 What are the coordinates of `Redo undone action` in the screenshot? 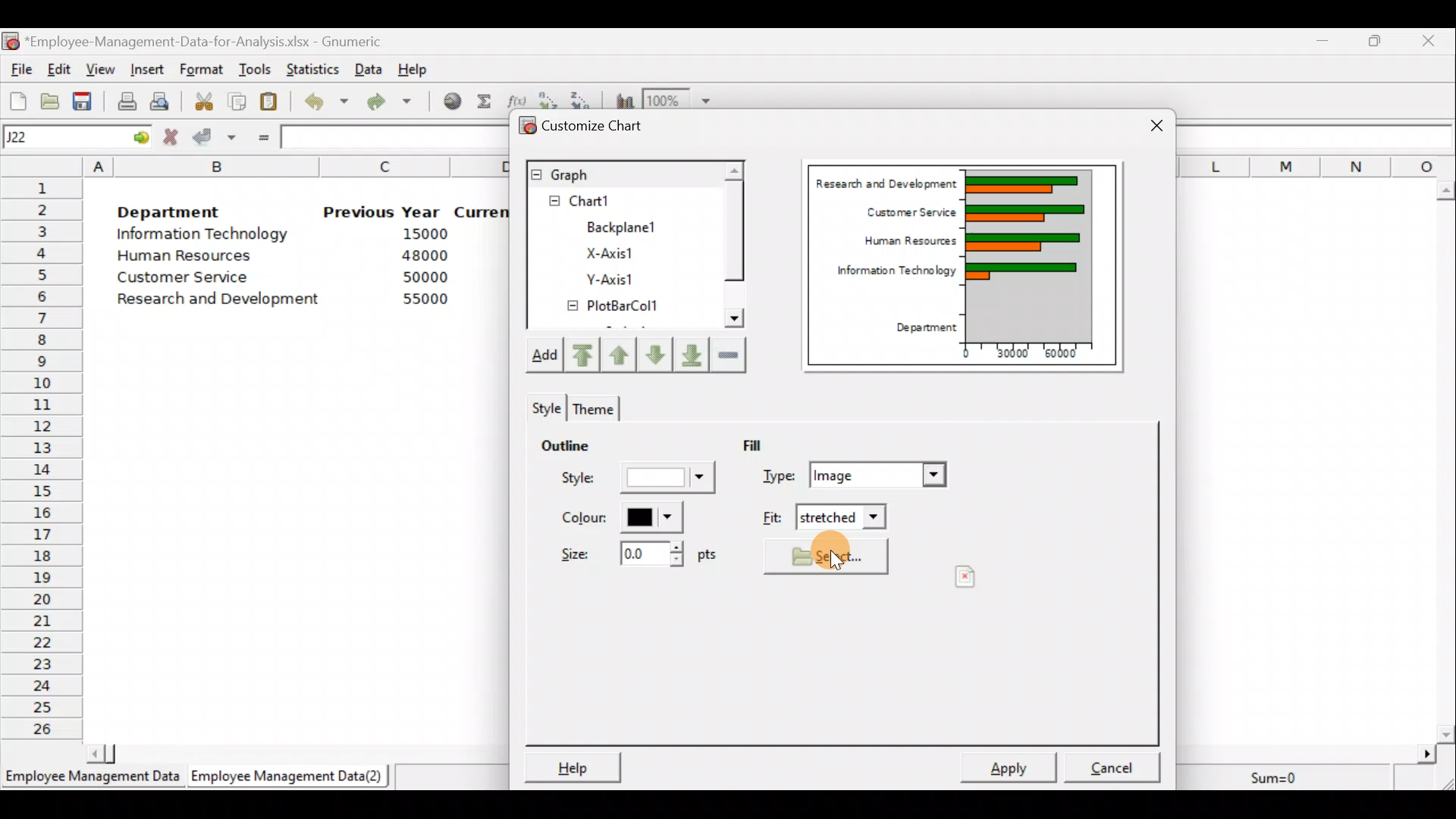 It's located at (397, 103).